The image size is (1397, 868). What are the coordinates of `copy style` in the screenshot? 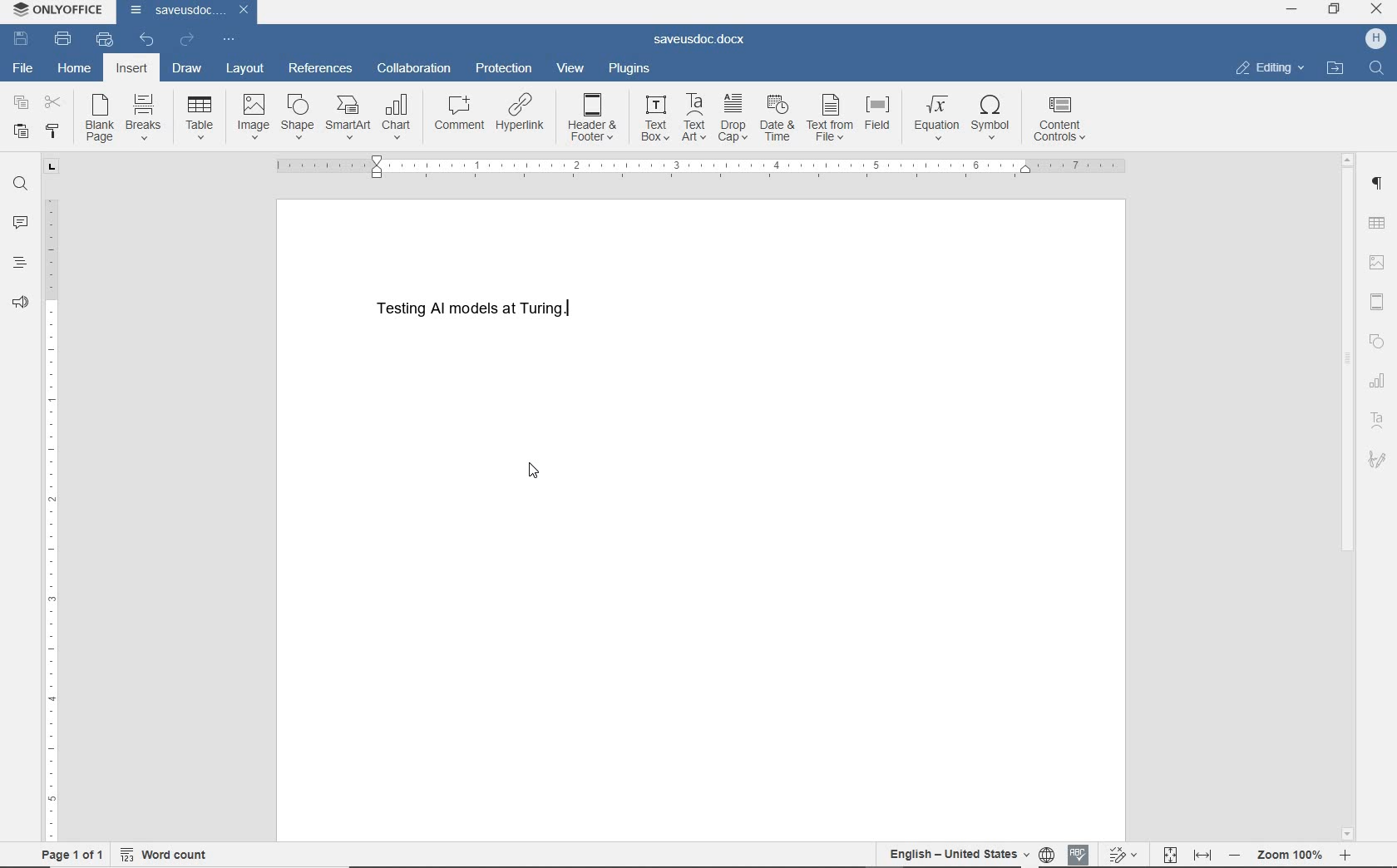 It's located at (51, 131).